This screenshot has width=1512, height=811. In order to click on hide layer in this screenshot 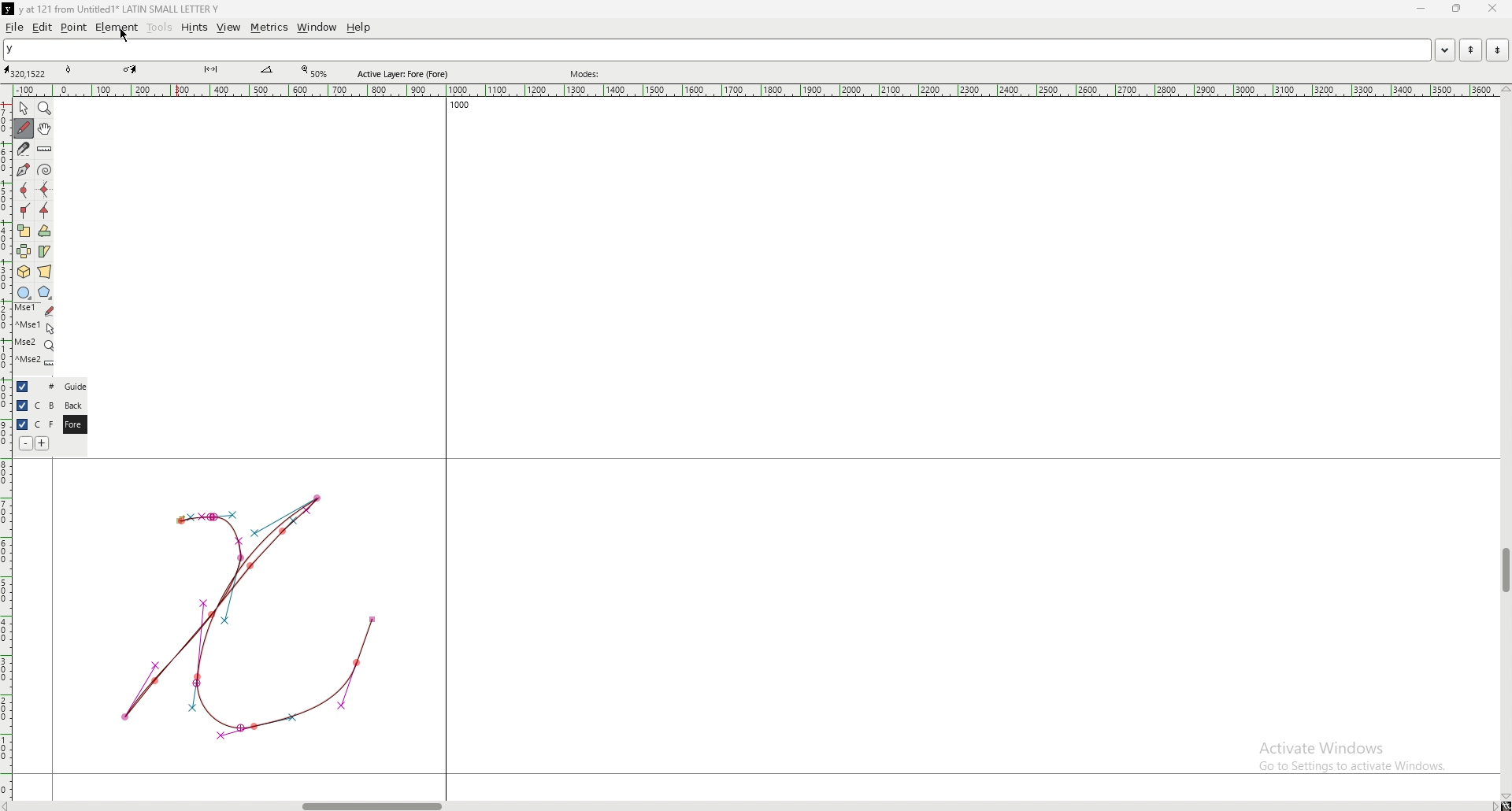, I will do `click(22, 424)`.